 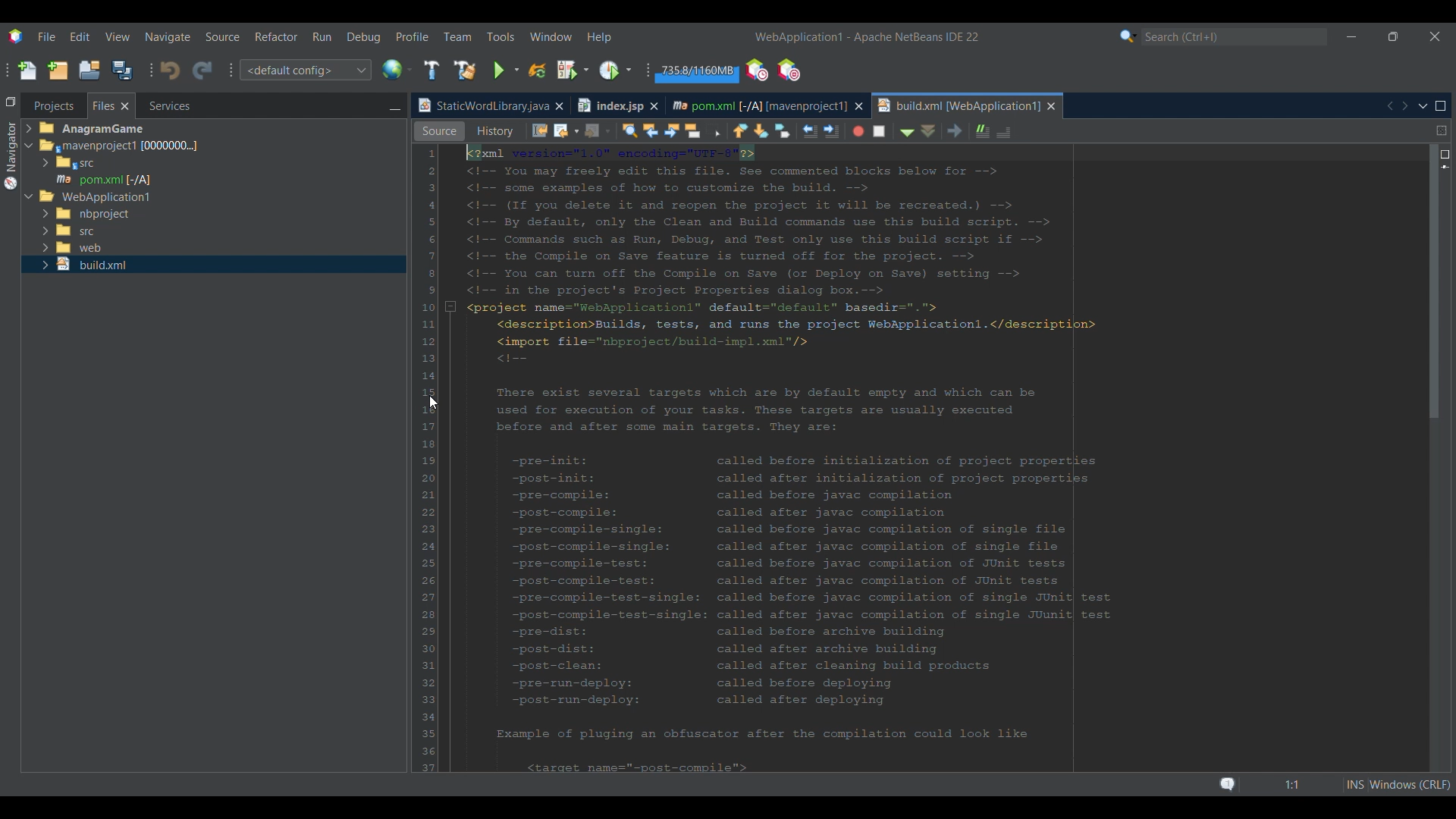 I want to click on Project name added, so click(x=867, y=37).